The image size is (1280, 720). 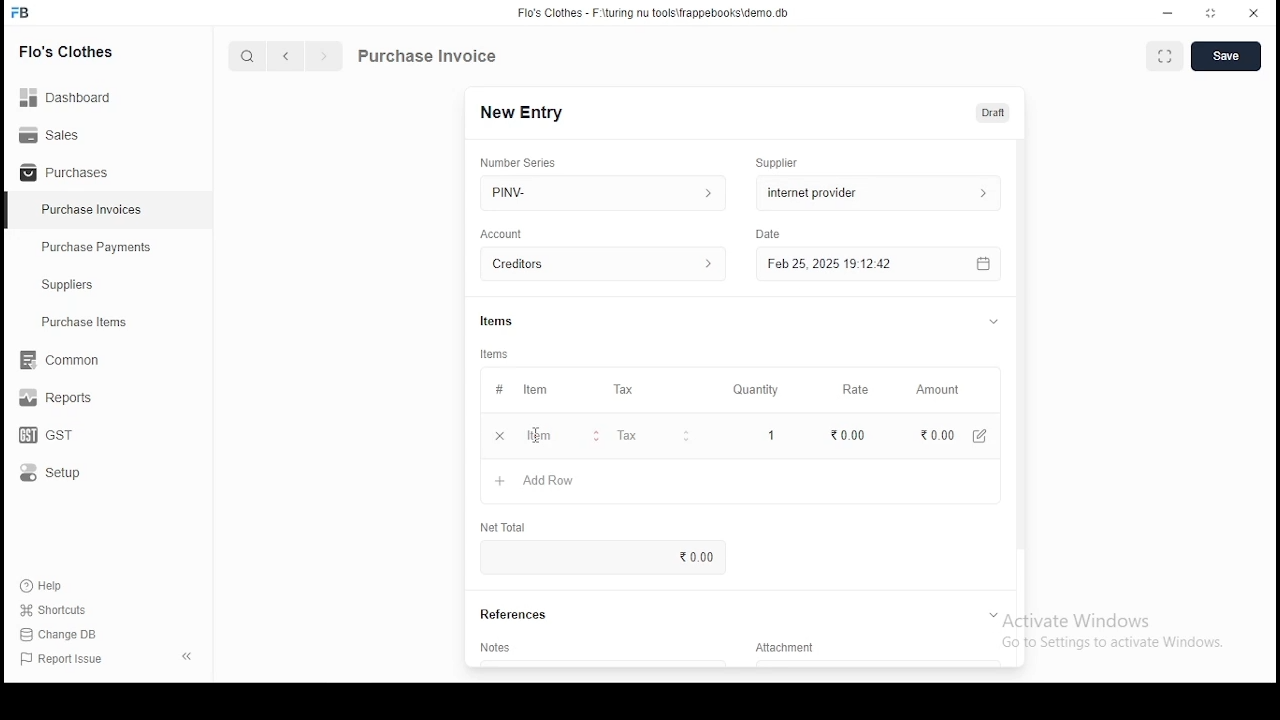 What do you see at coordinates (1228, 57) in the screenshot?
I see `create` at bounding box center [1228, 57].